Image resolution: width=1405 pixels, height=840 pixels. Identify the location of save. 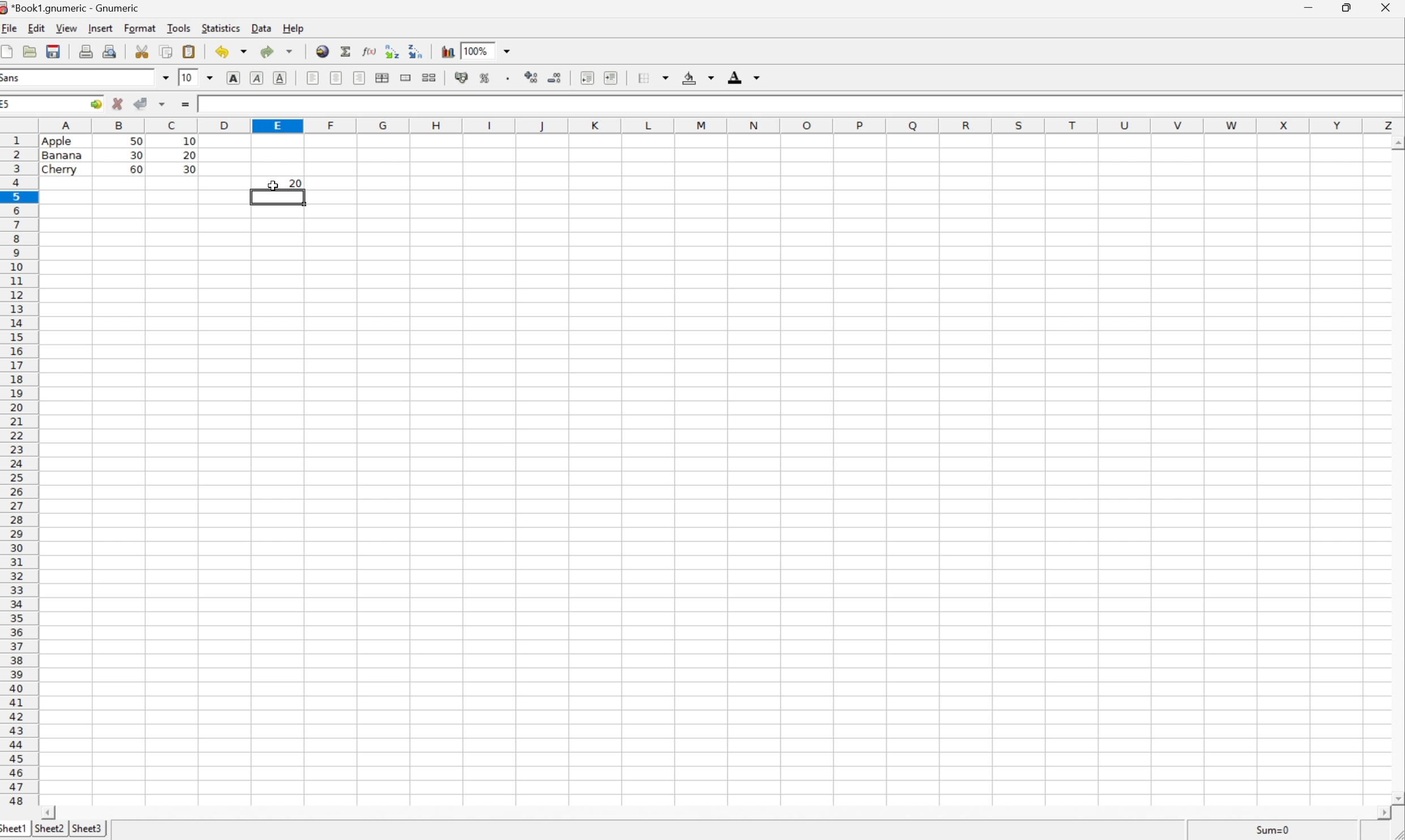
(30, 50).